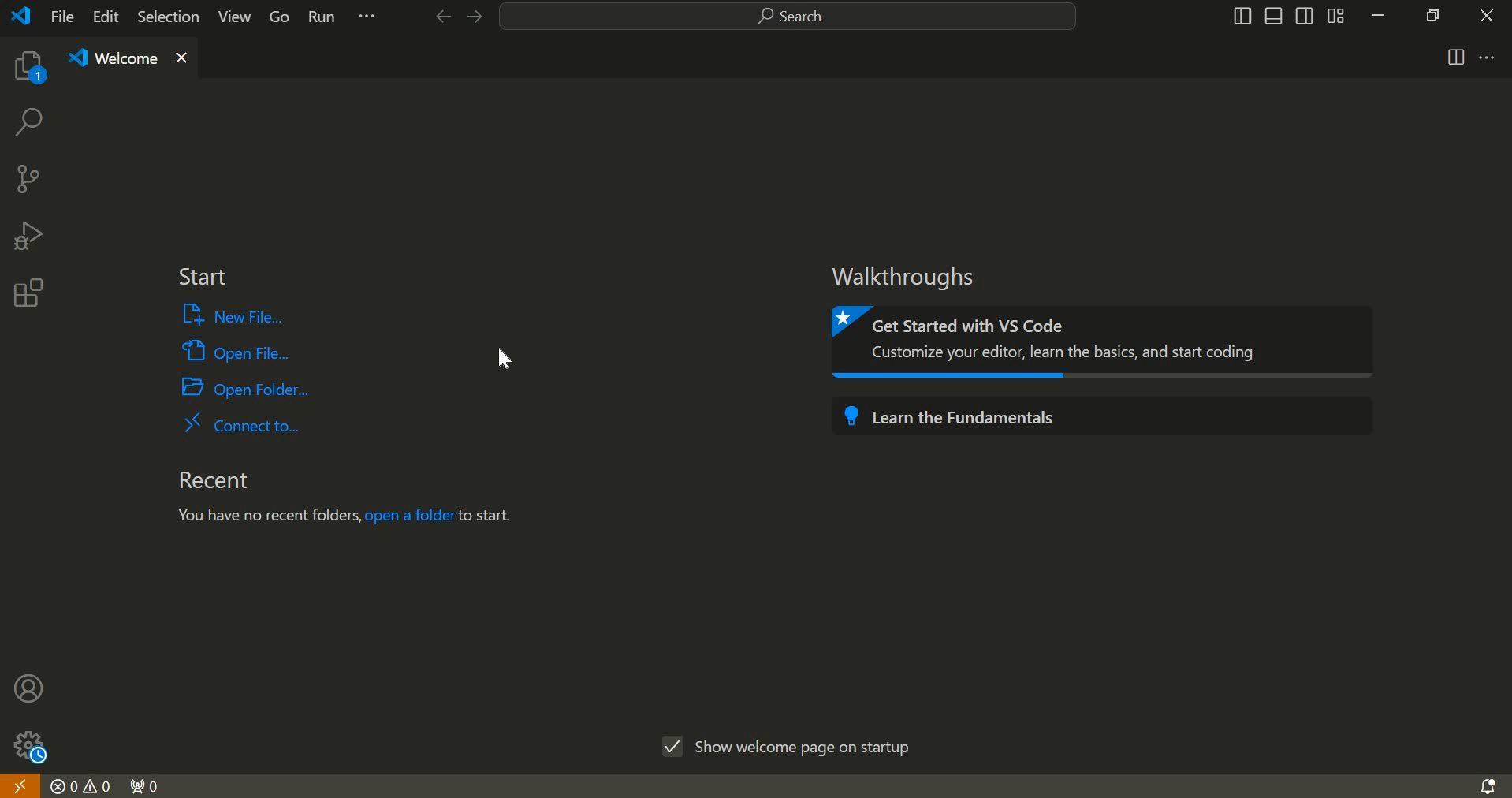  I want to click on vscode system, so click(25, 16).